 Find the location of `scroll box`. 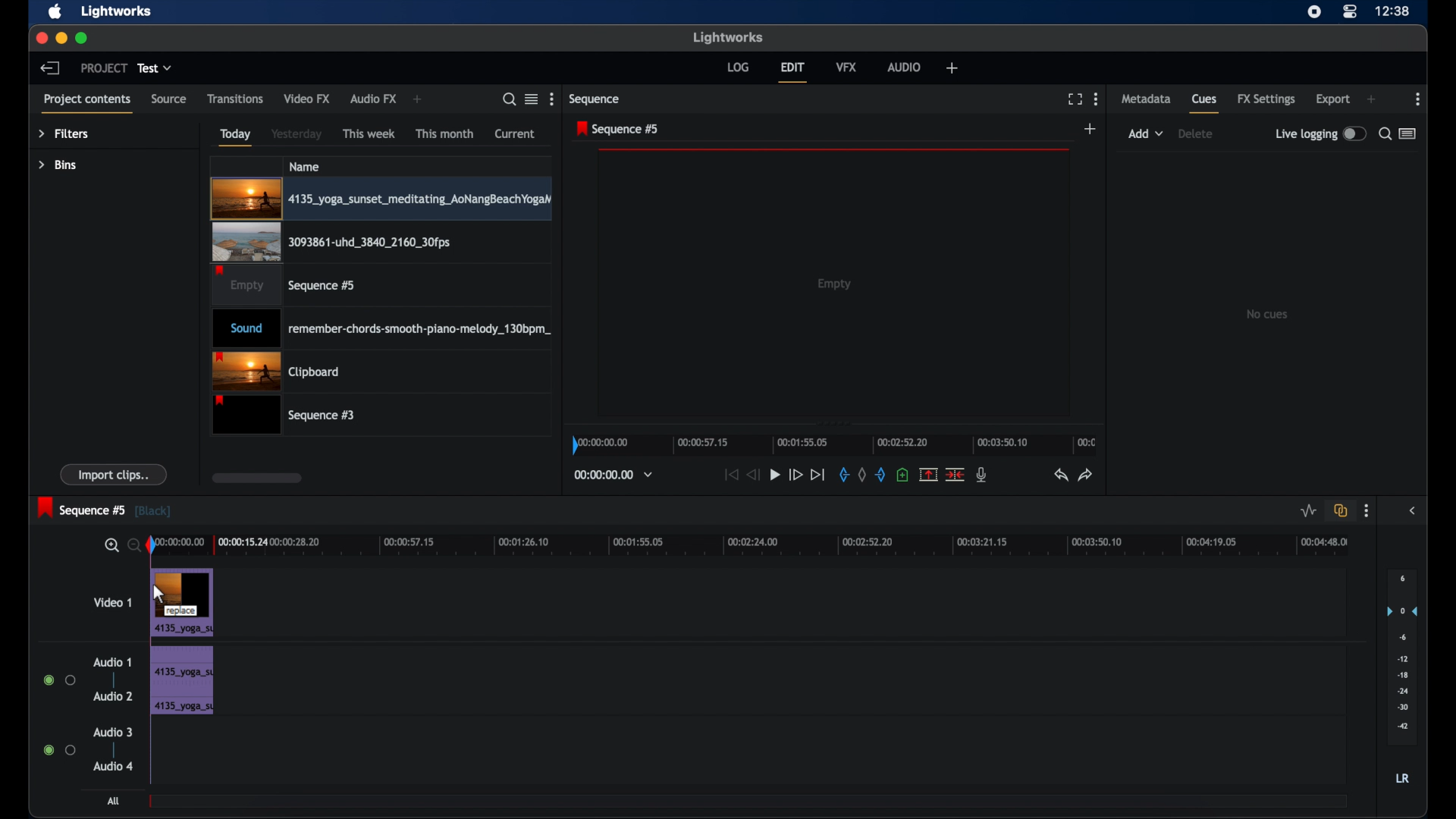

scroll box is located at coordinates (256, 477).